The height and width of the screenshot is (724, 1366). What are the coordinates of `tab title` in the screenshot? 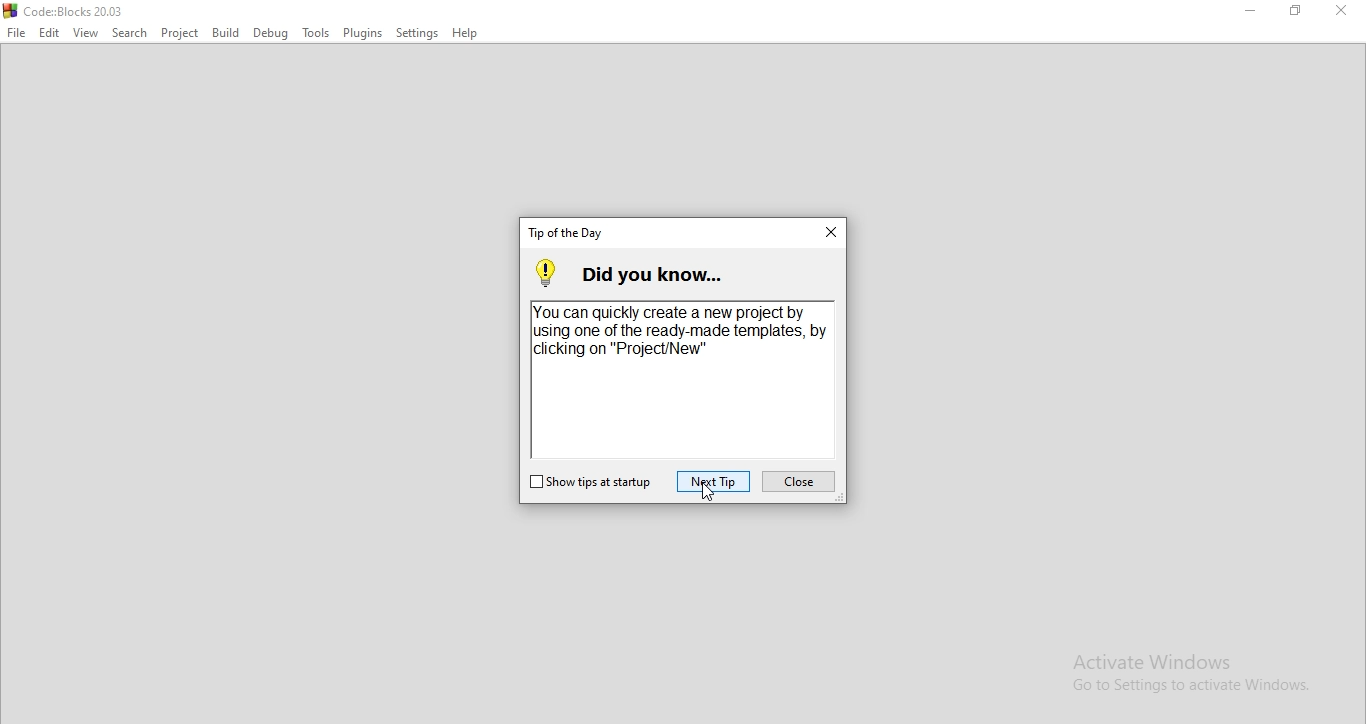 It's located at (569, 234).